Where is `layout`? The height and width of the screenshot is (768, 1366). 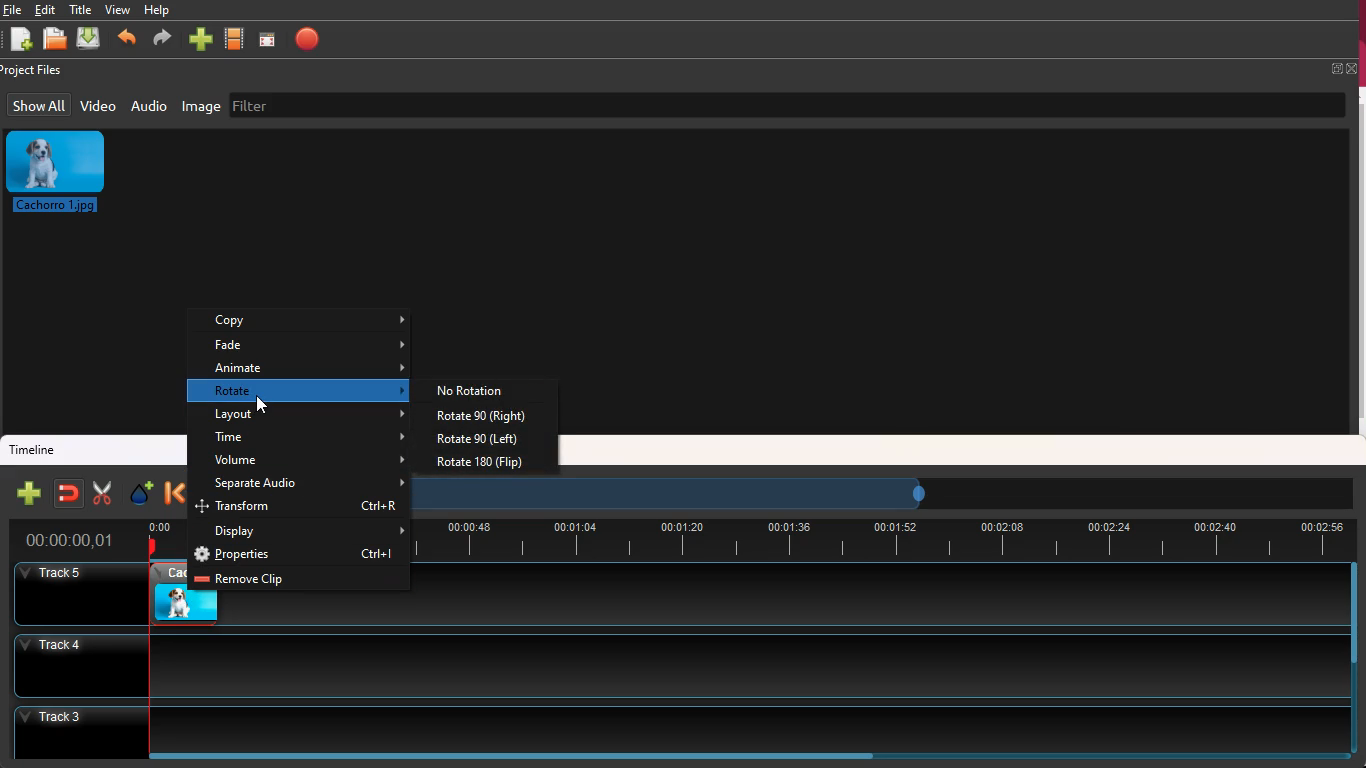 layout is located at coordinates (309, 416).